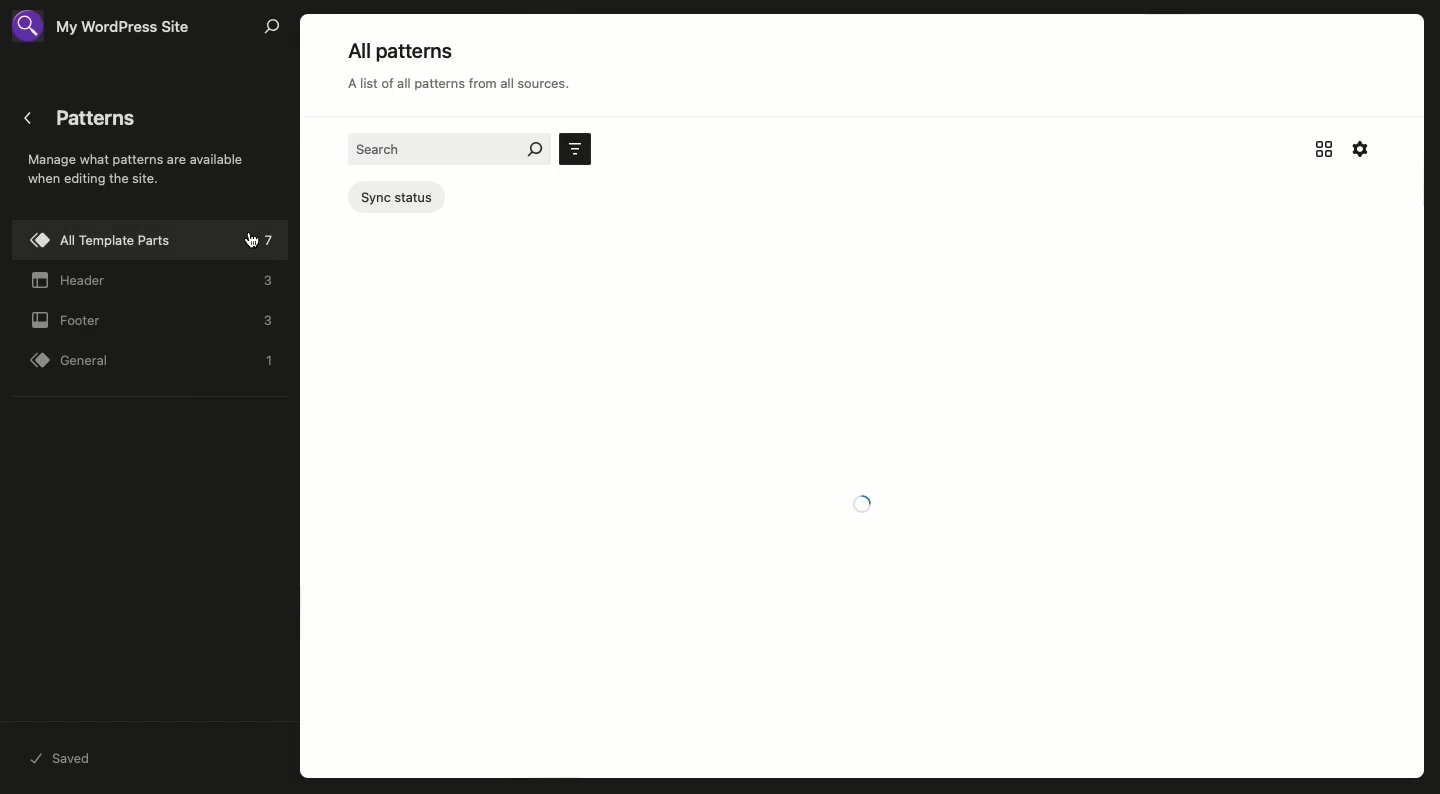 The width and height of the screenshot is (1440, 794). Describe the element at coordinates (152, 240) in the screenshot. I see `All template parts` at that location.